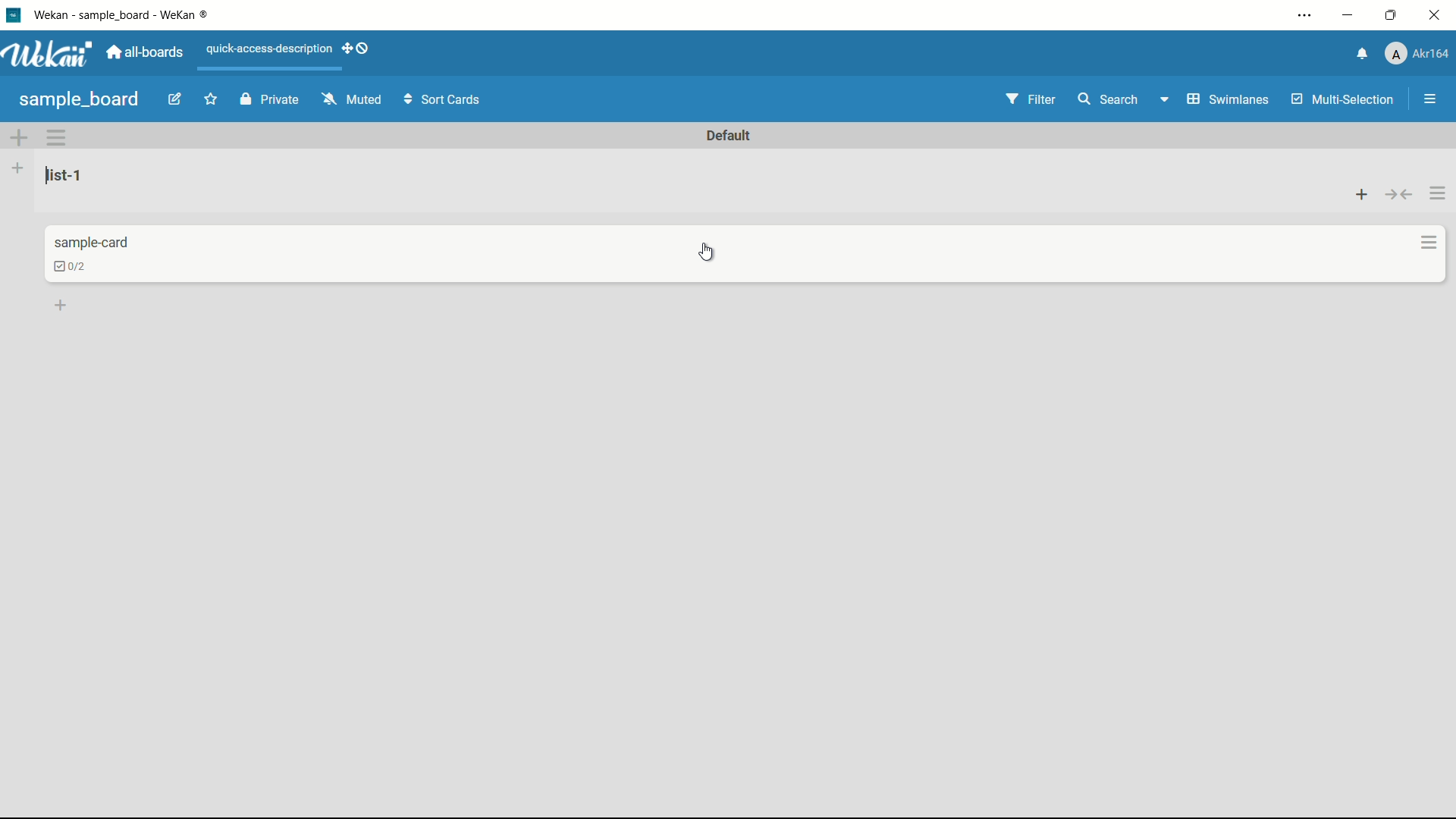 The image size is (1456, 819). Describe the element at coordinates (1227, 99) in the screenshot. I see `swimlanes` at that location.